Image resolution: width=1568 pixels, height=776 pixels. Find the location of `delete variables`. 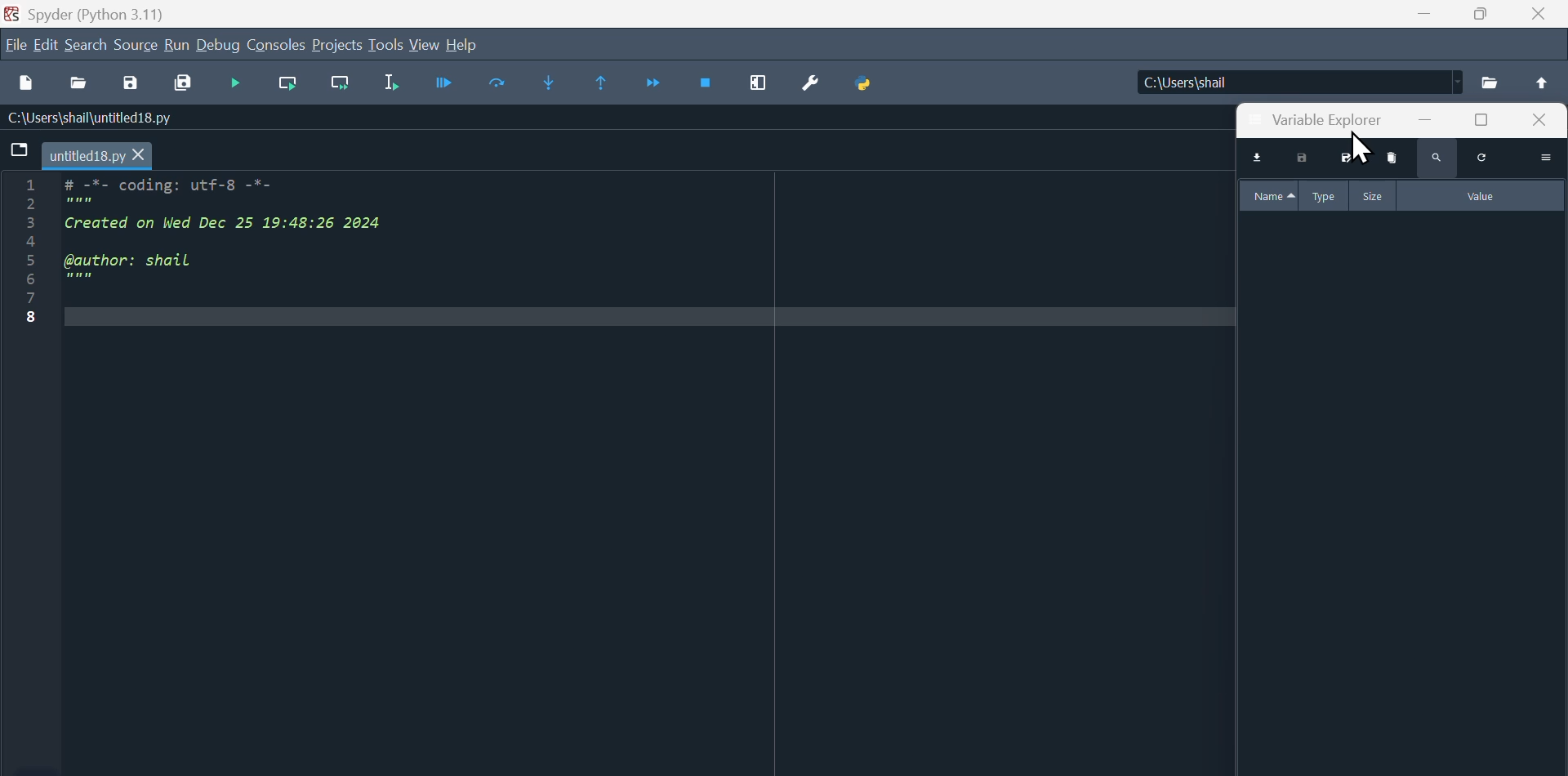

delete variables is located at coordinates (1394, 160).